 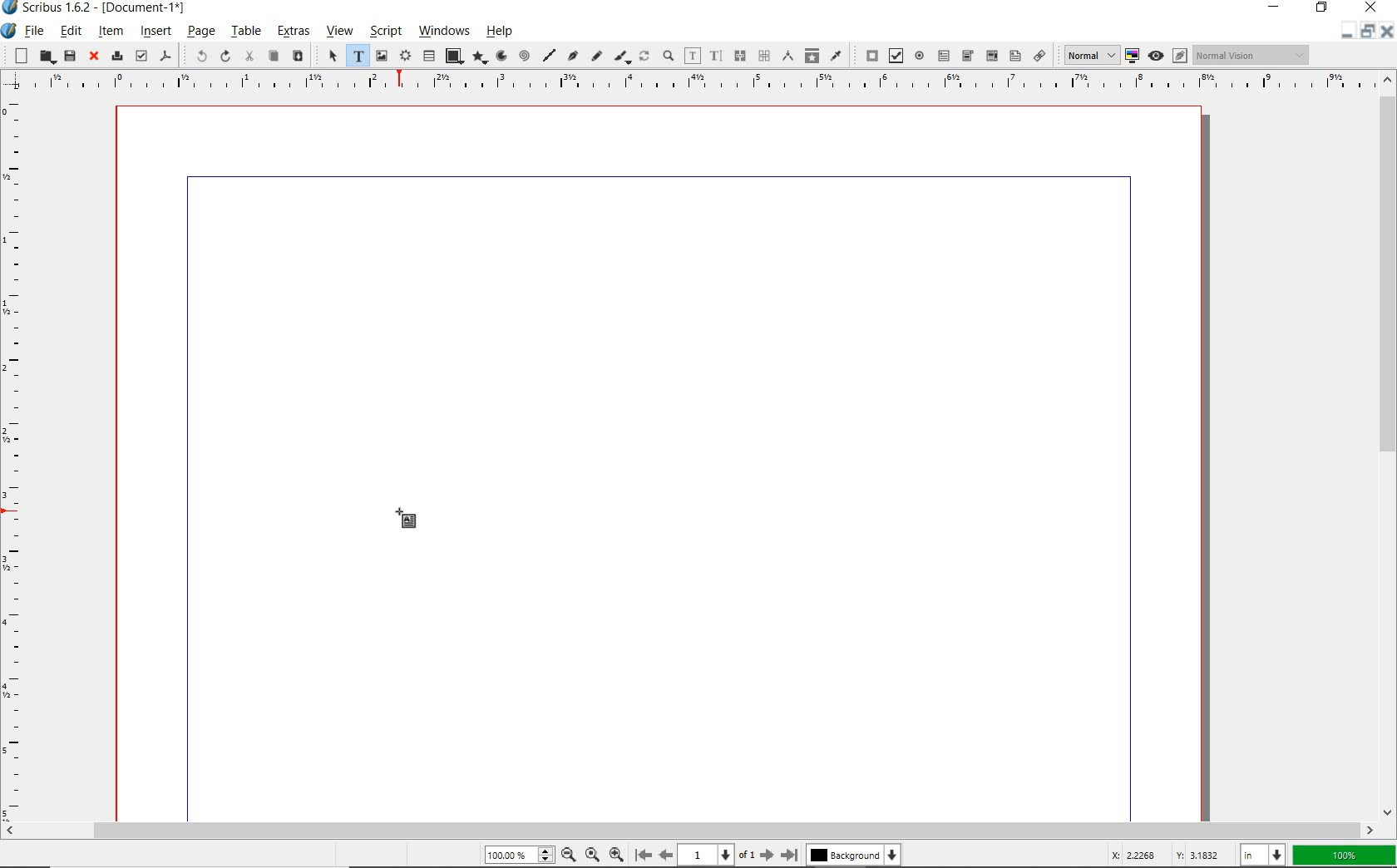 I want to click on preflight verifier, so click(x=141, y=57).